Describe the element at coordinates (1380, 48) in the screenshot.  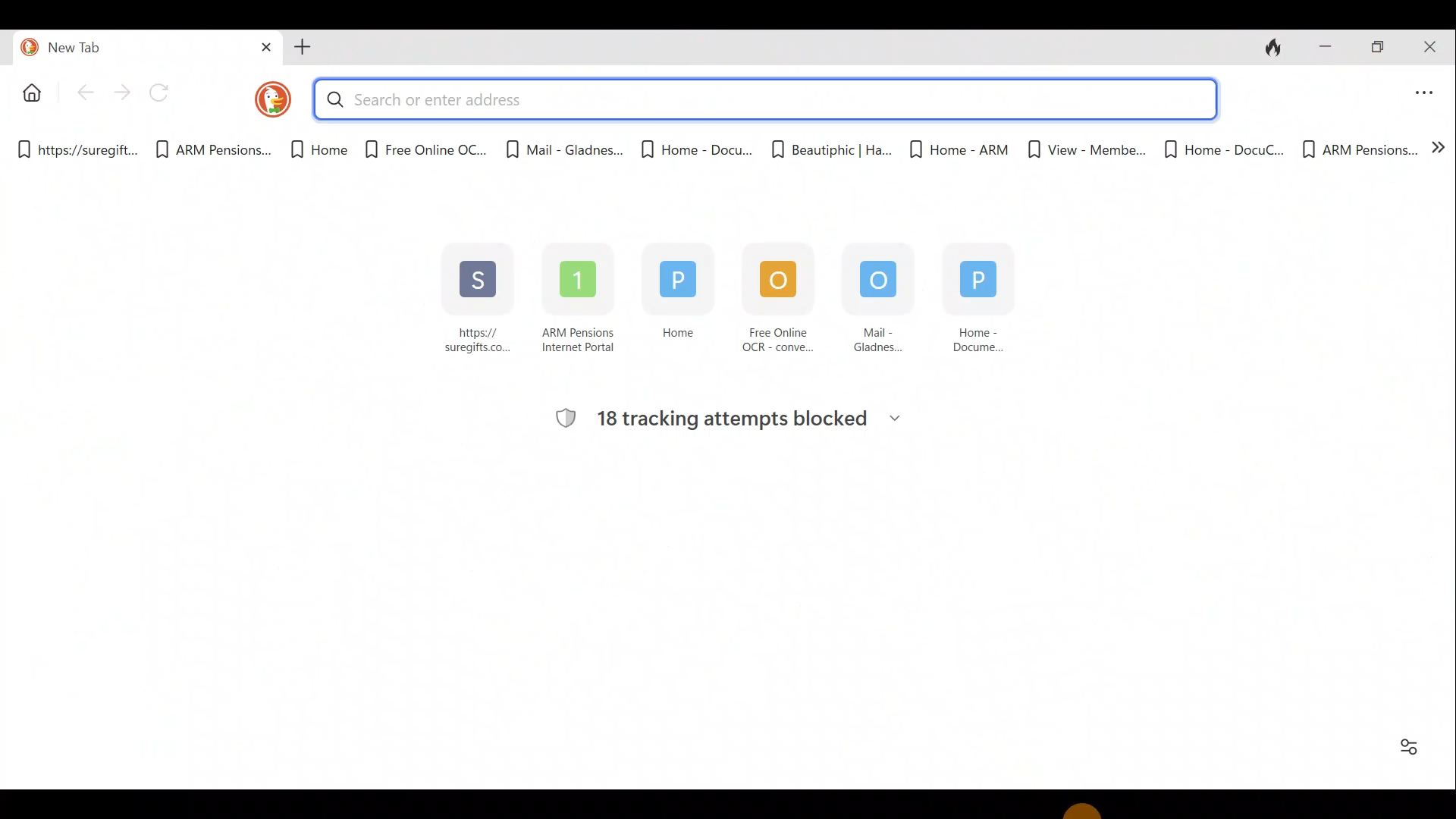
I see `Restore down` at that location.